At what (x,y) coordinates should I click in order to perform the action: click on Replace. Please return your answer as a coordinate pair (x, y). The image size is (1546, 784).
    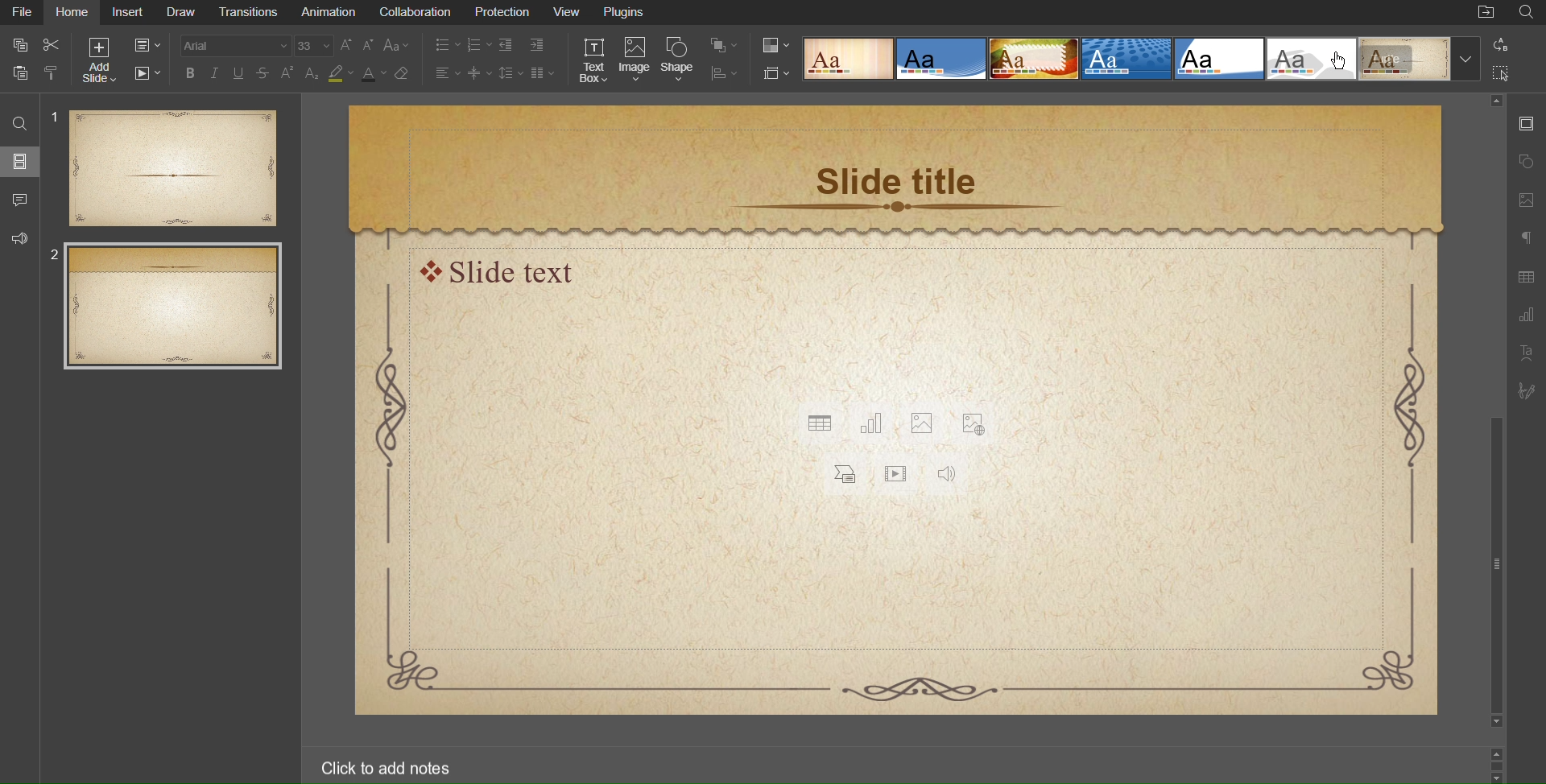
    Looking at the image, I should click on (1499, 45).